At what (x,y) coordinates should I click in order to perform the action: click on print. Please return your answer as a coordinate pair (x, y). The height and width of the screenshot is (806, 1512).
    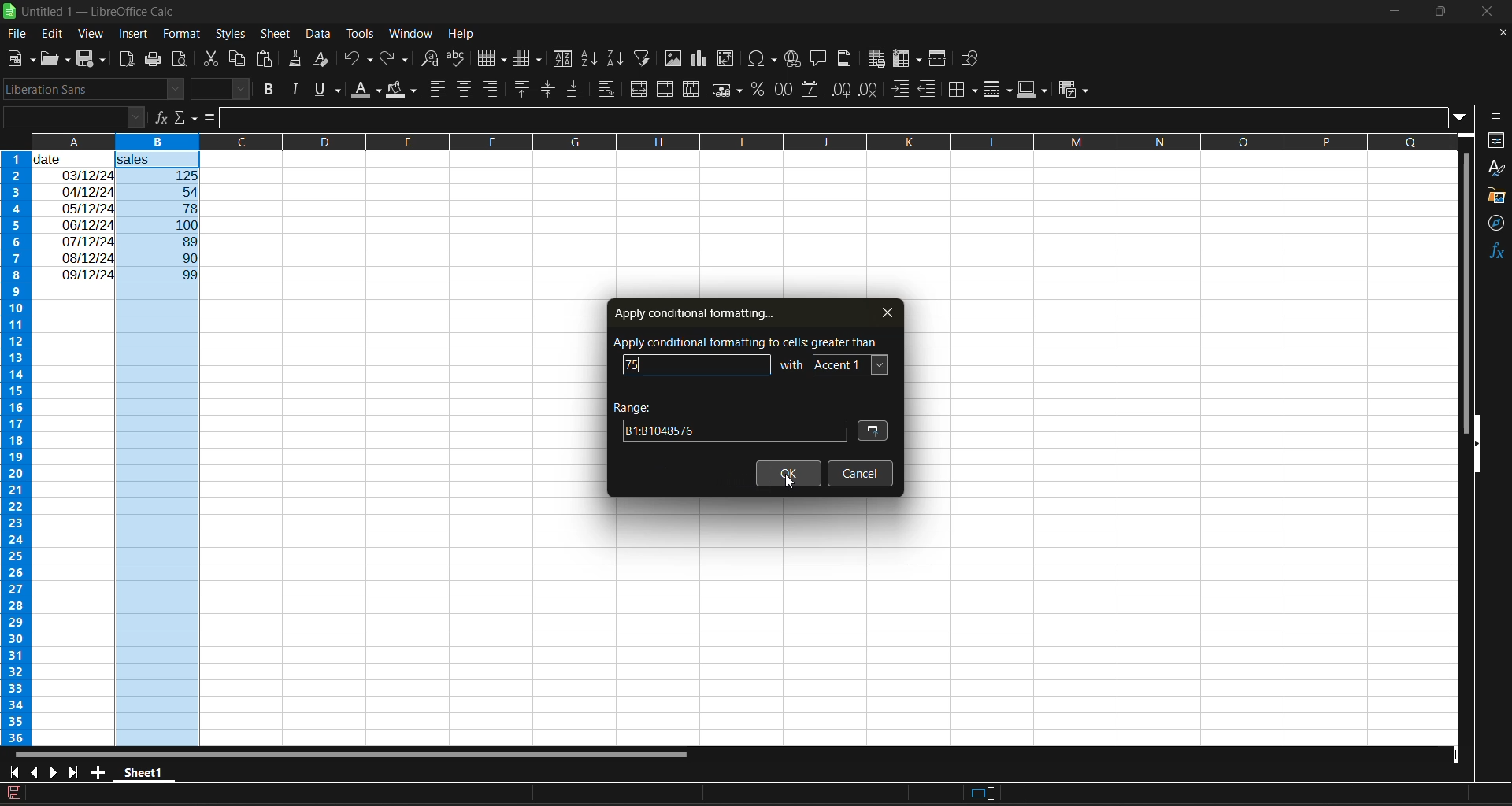
    Looking at the image, I should click on (151, 60).